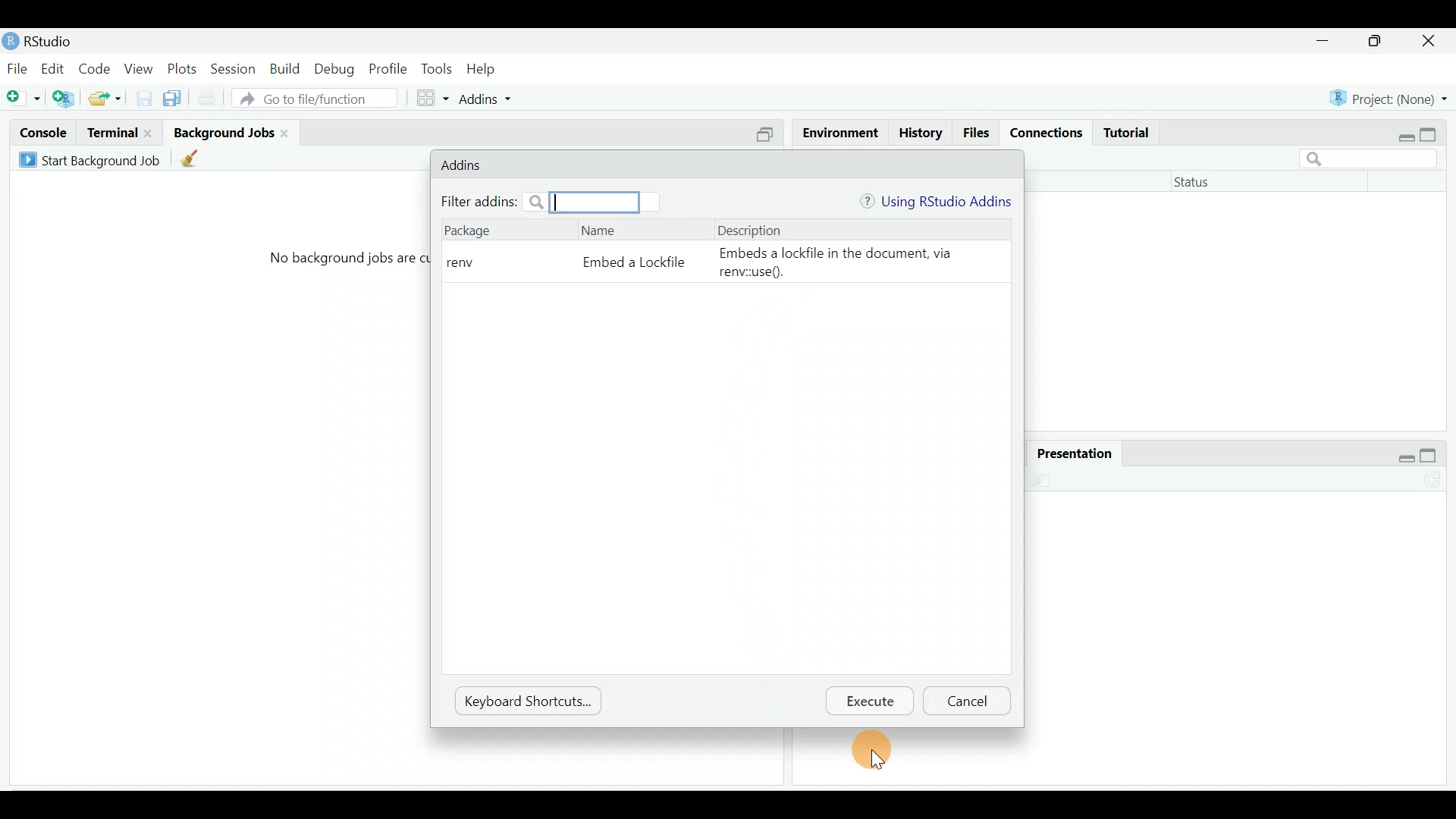  I want to click on open an existing file, so click(105, 99).